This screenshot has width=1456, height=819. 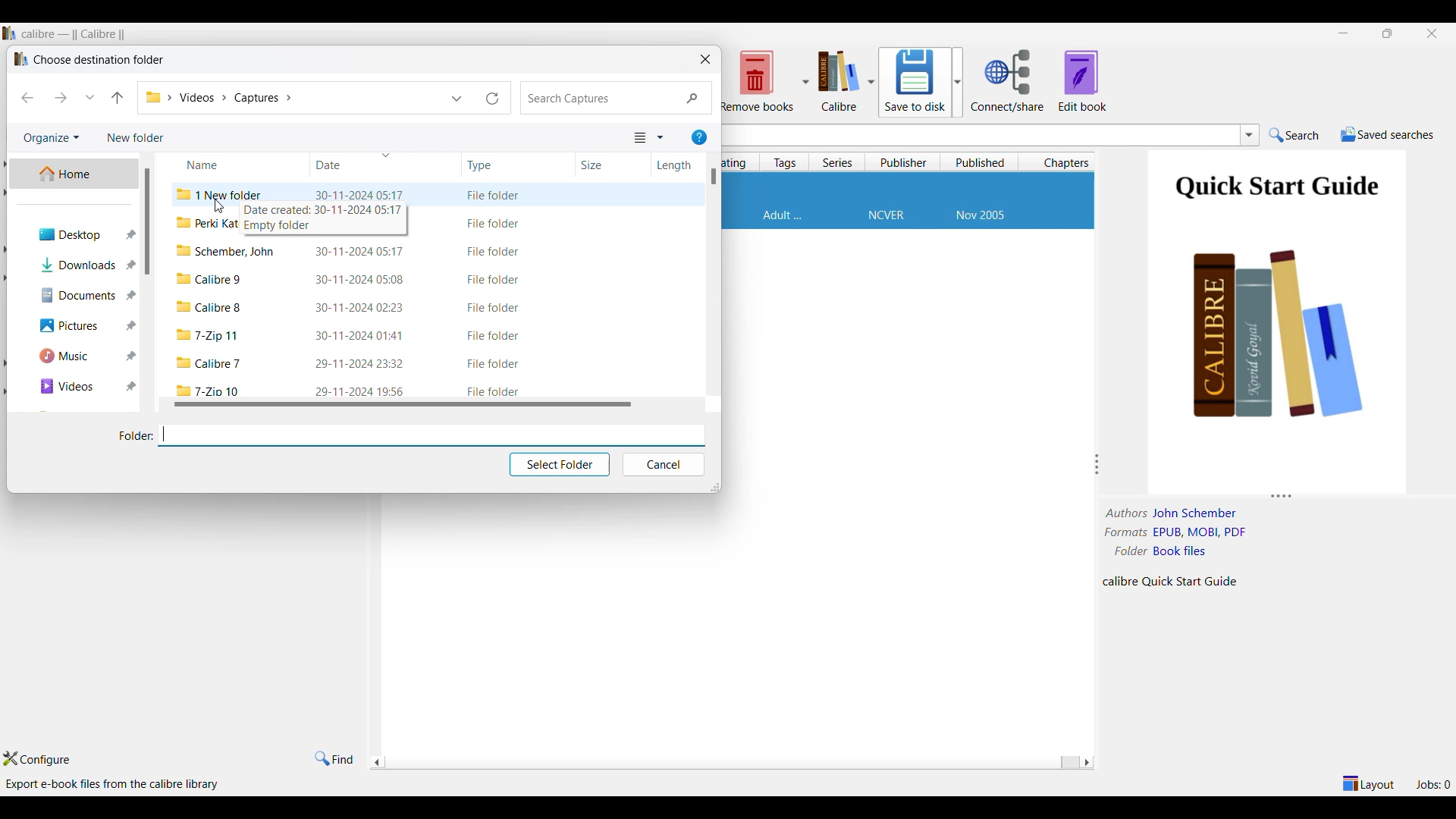 What do you see at coordinates (1281, 354) in the screenshot?
I see `image` at bounding box center [1281, 354].